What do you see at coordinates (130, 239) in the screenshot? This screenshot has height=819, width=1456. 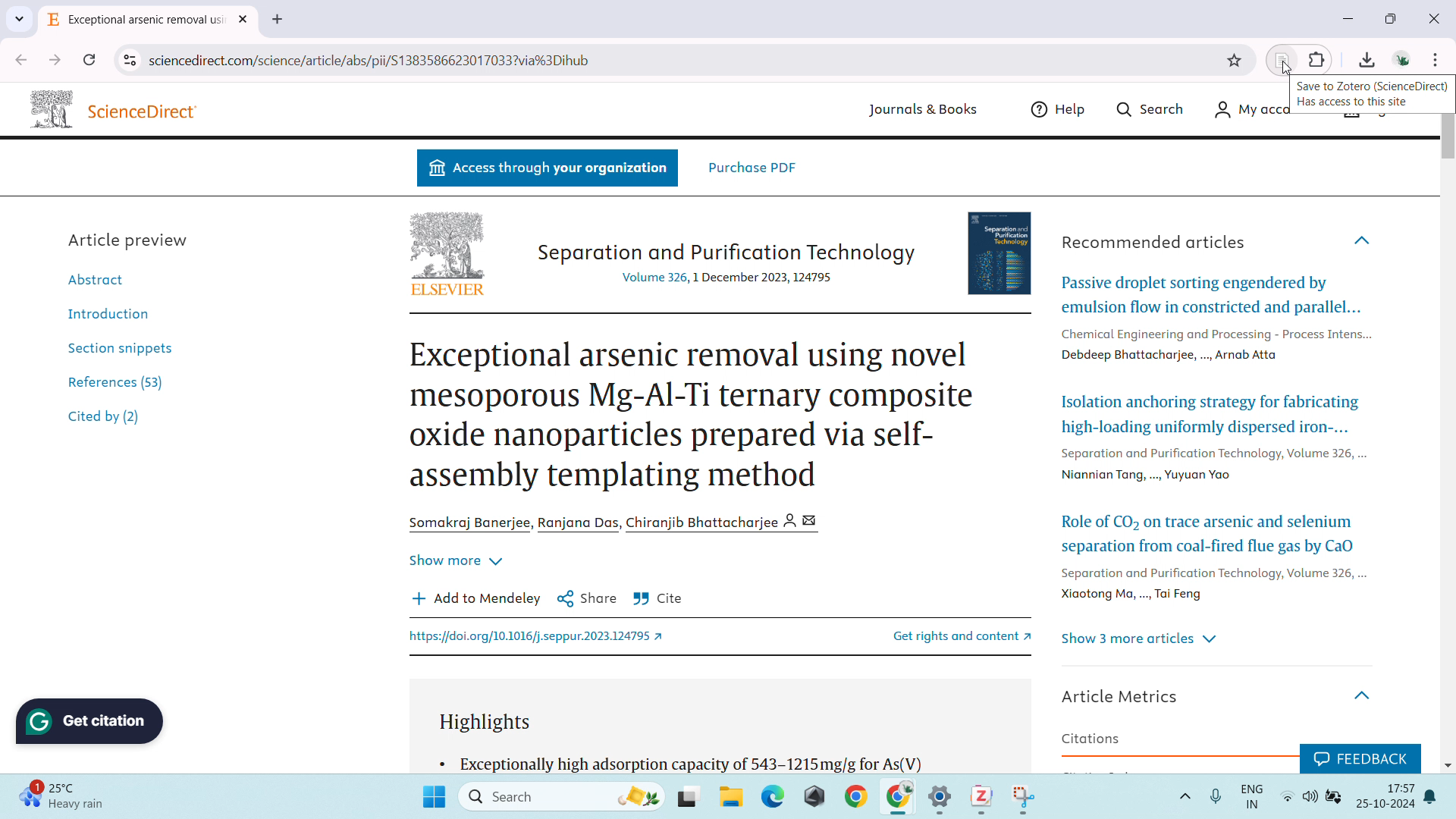 I see `Article preview` at bounding box center [130, 239].